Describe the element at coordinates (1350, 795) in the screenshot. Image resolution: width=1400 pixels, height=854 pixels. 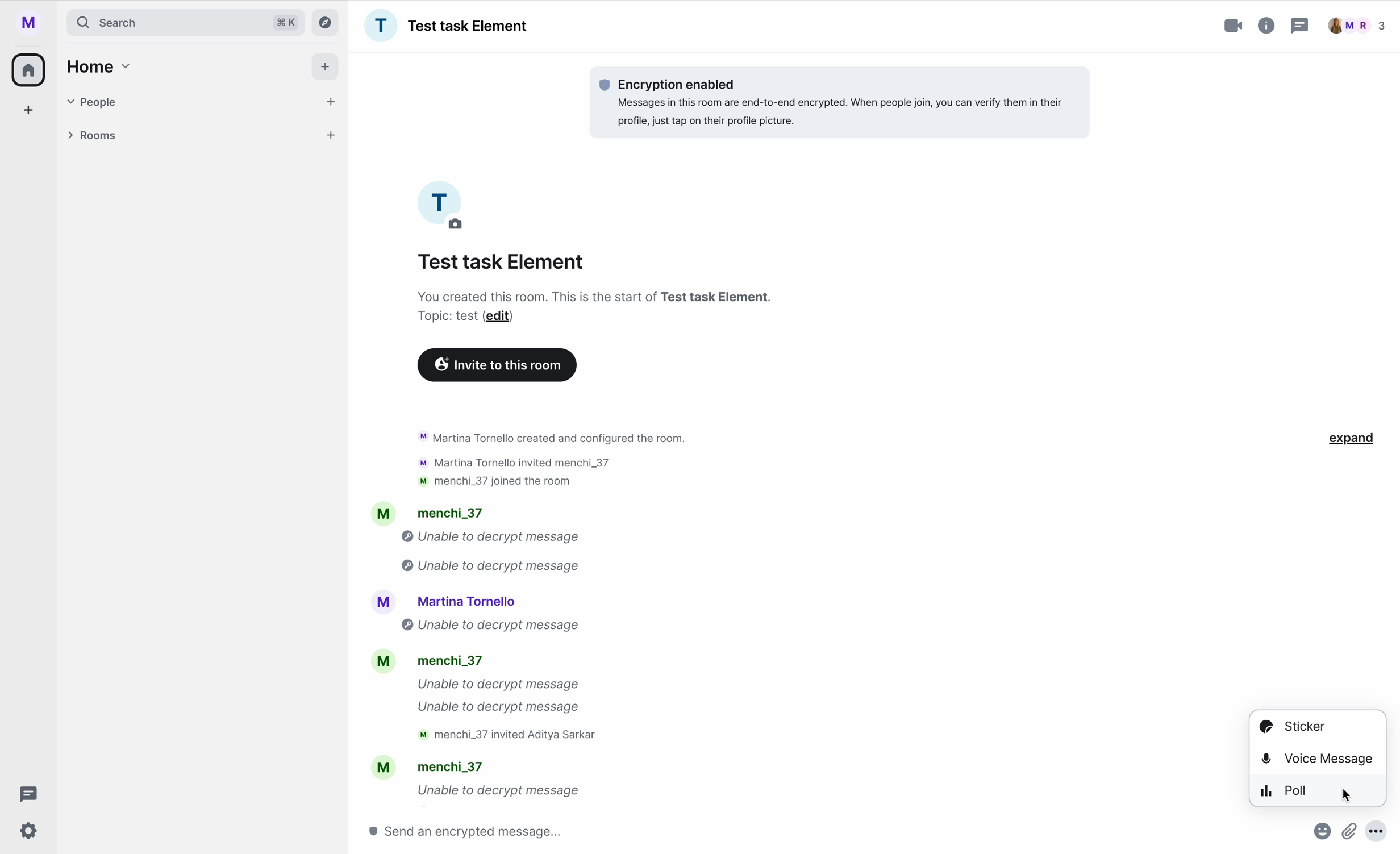
I see `cursor` at that location.